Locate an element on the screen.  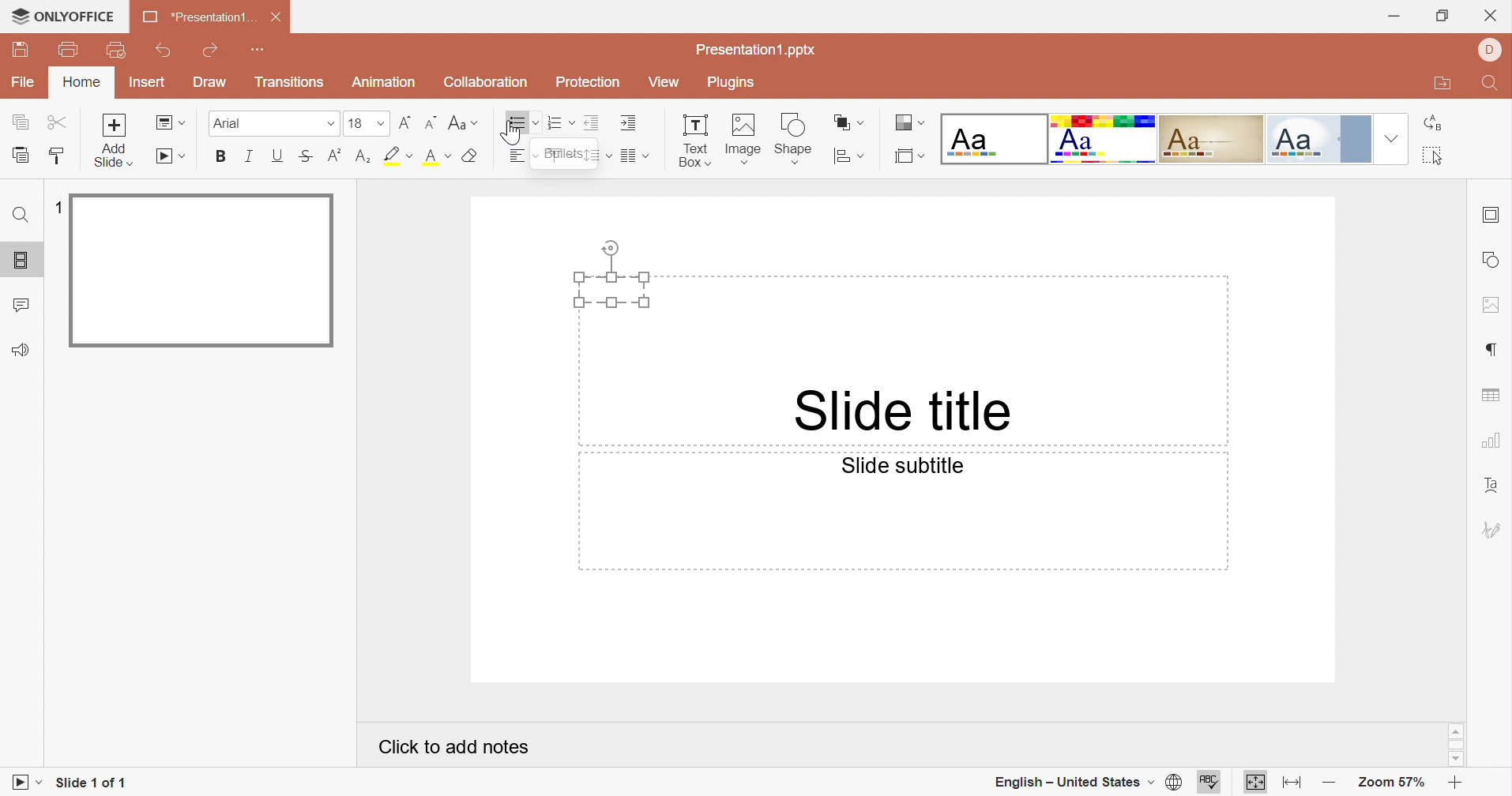
paragraph settings is located at coordinates (1495, 346).